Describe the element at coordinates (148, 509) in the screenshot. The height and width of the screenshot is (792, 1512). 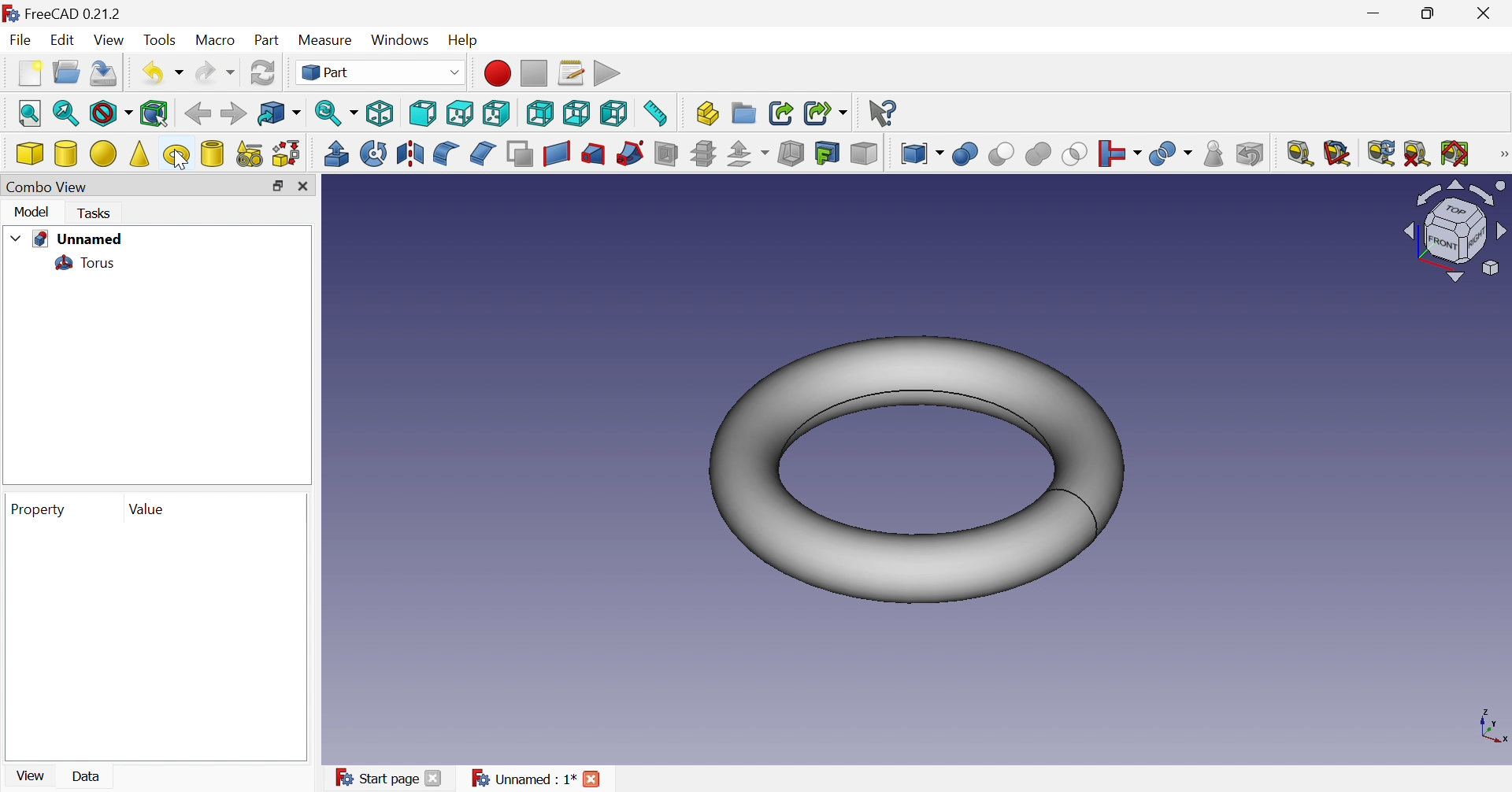
I see `Value` at that location.